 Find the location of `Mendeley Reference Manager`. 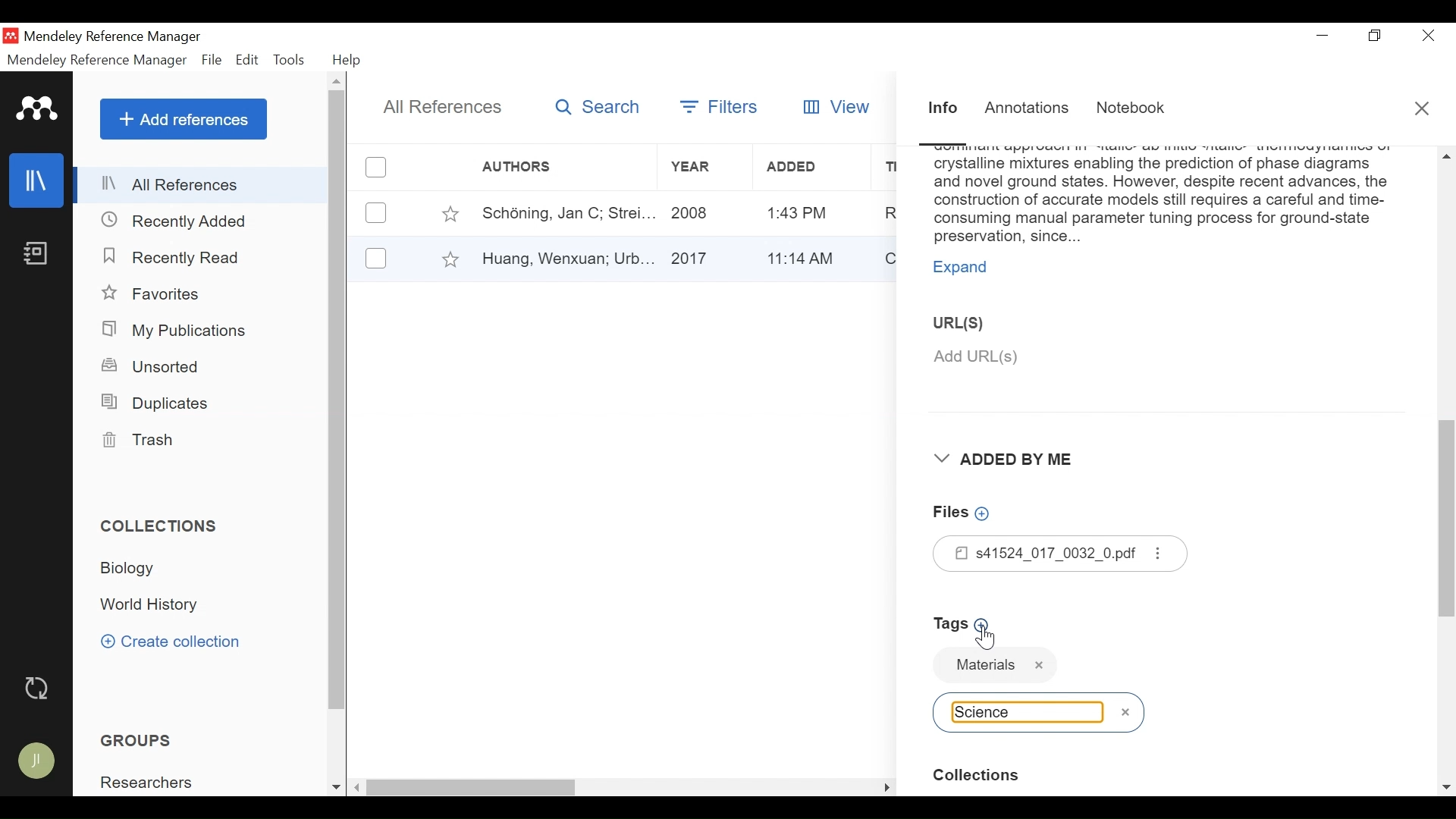

Mendeley Reference Manager is located at coordinates (97, 62).